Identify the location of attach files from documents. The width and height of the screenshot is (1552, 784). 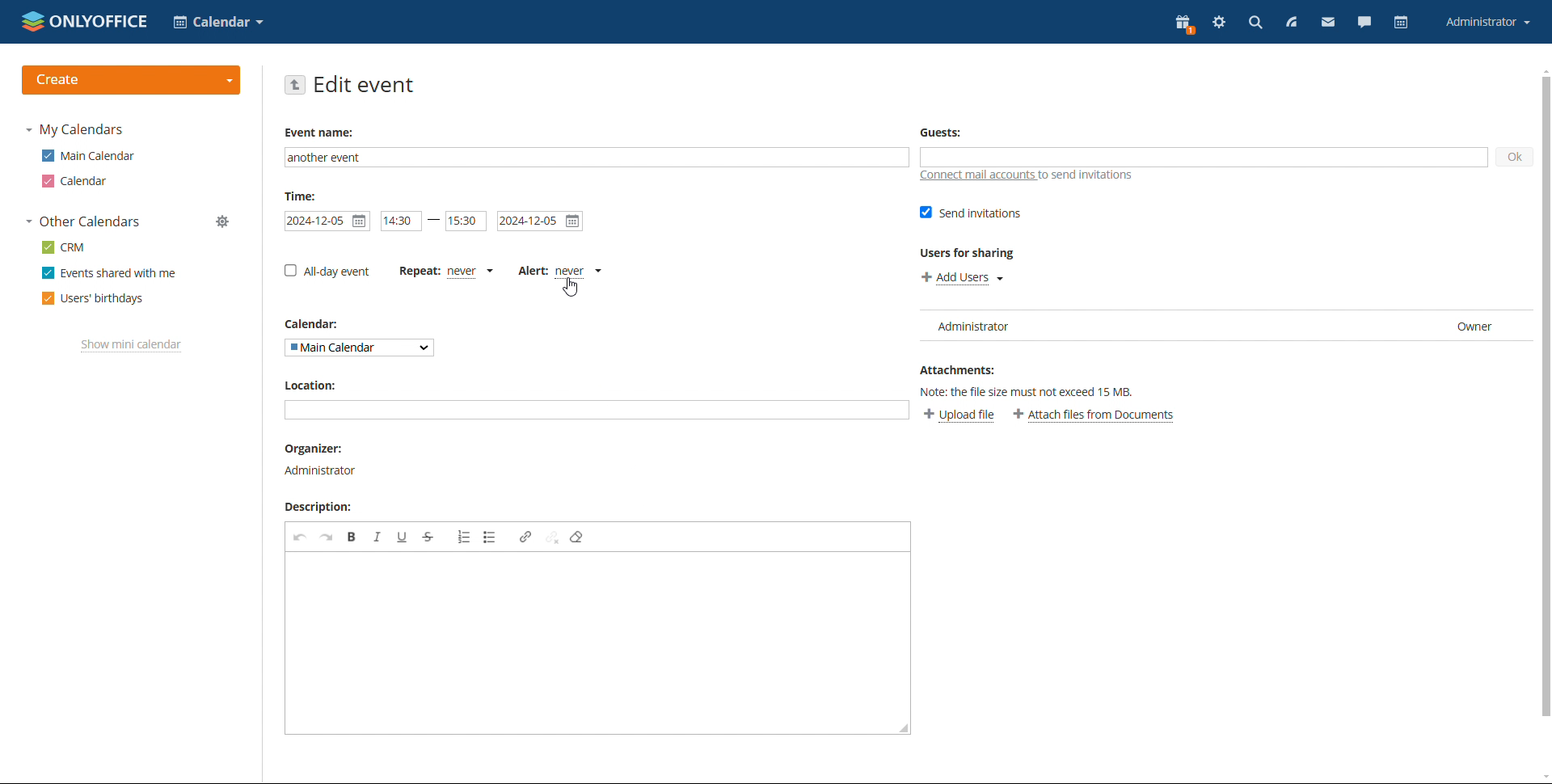
(1094, 415).